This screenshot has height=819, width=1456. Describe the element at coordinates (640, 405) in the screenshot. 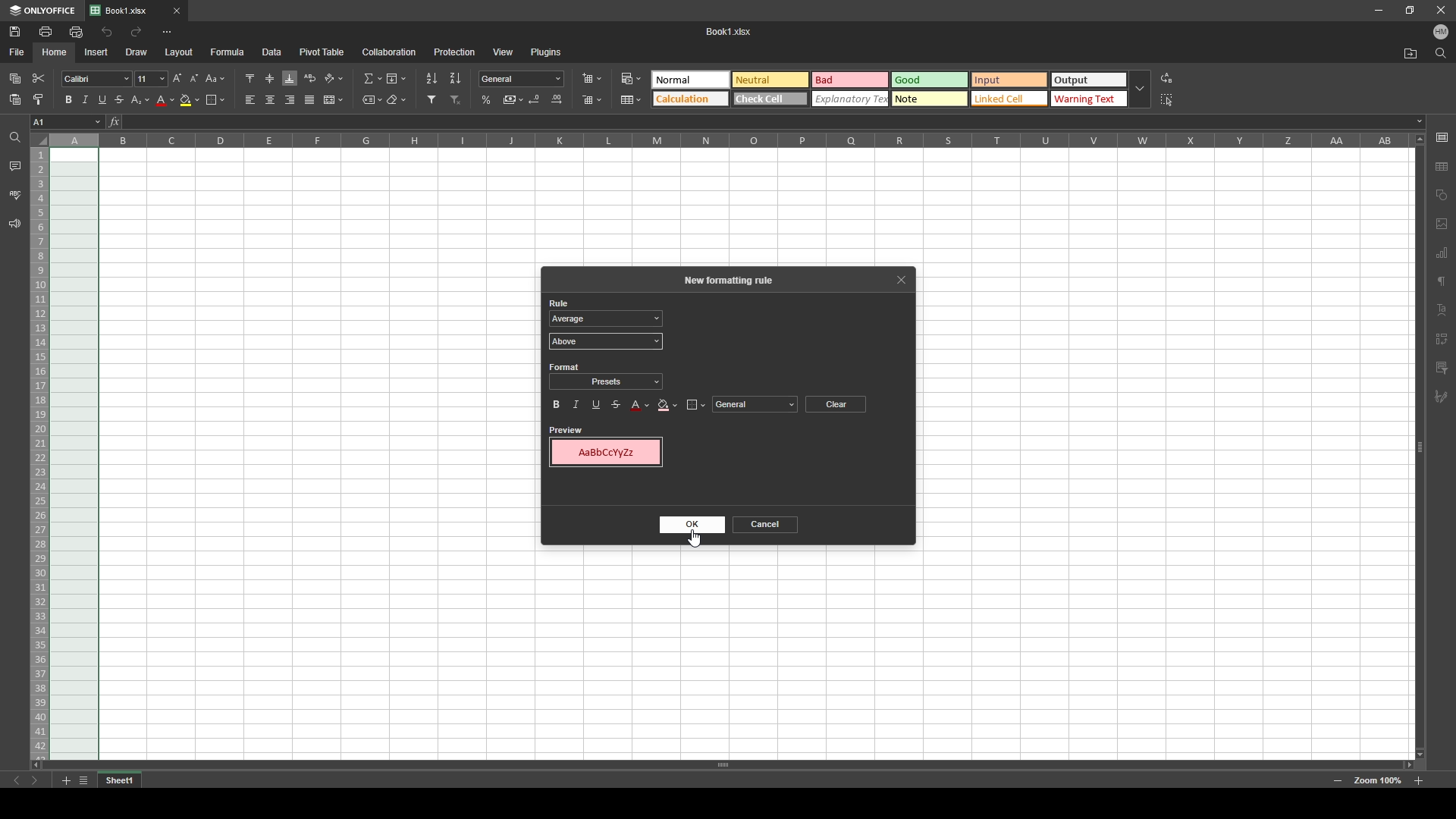

I see `font color` at that location.